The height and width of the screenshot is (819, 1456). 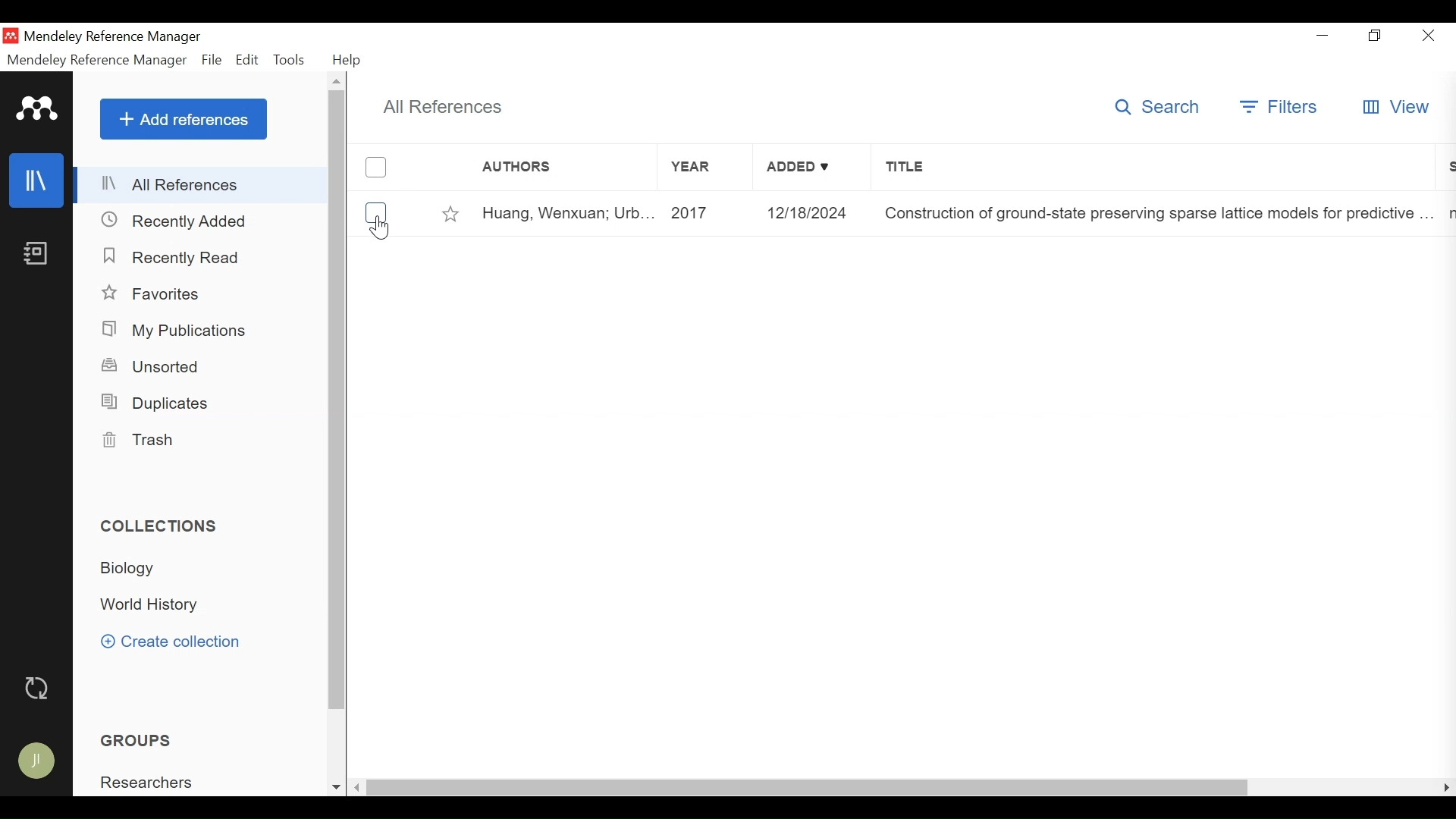 I want to click on Group, so click(x=156, y=782).